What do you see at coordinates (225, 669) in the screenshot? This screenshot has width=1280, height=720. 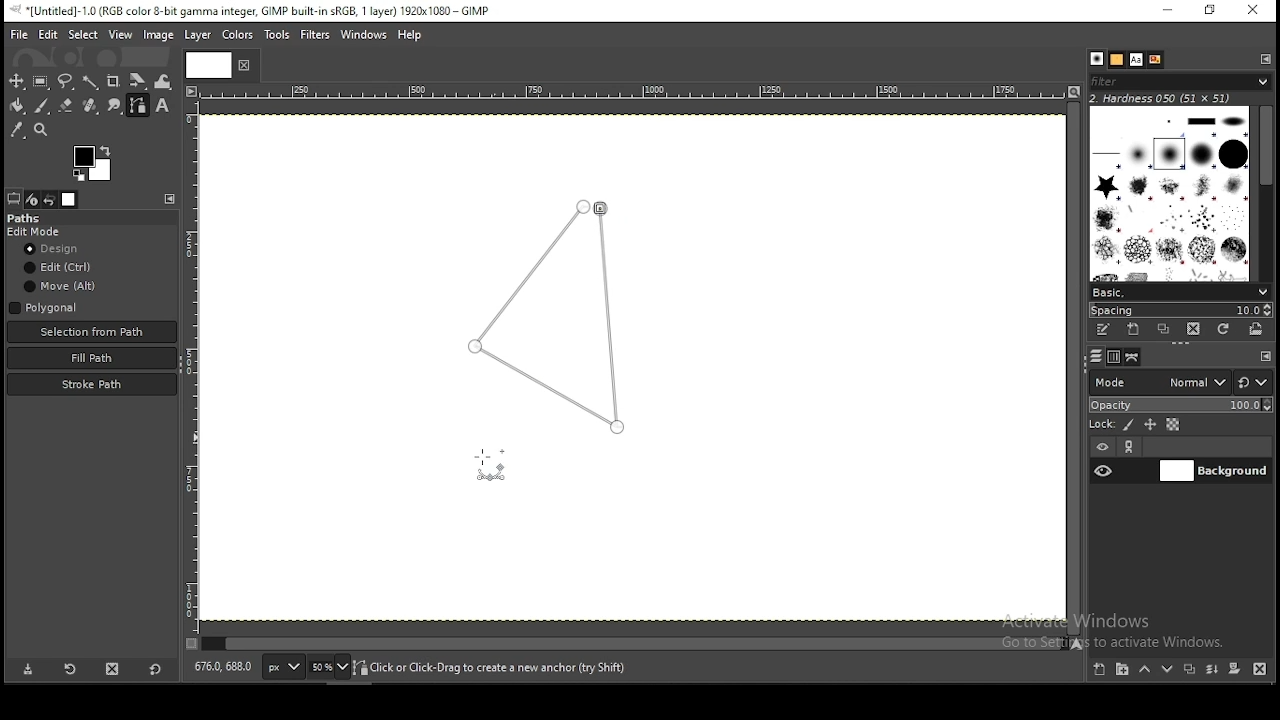 I see `872.0, 196.0` at bounding box center [225, 669].